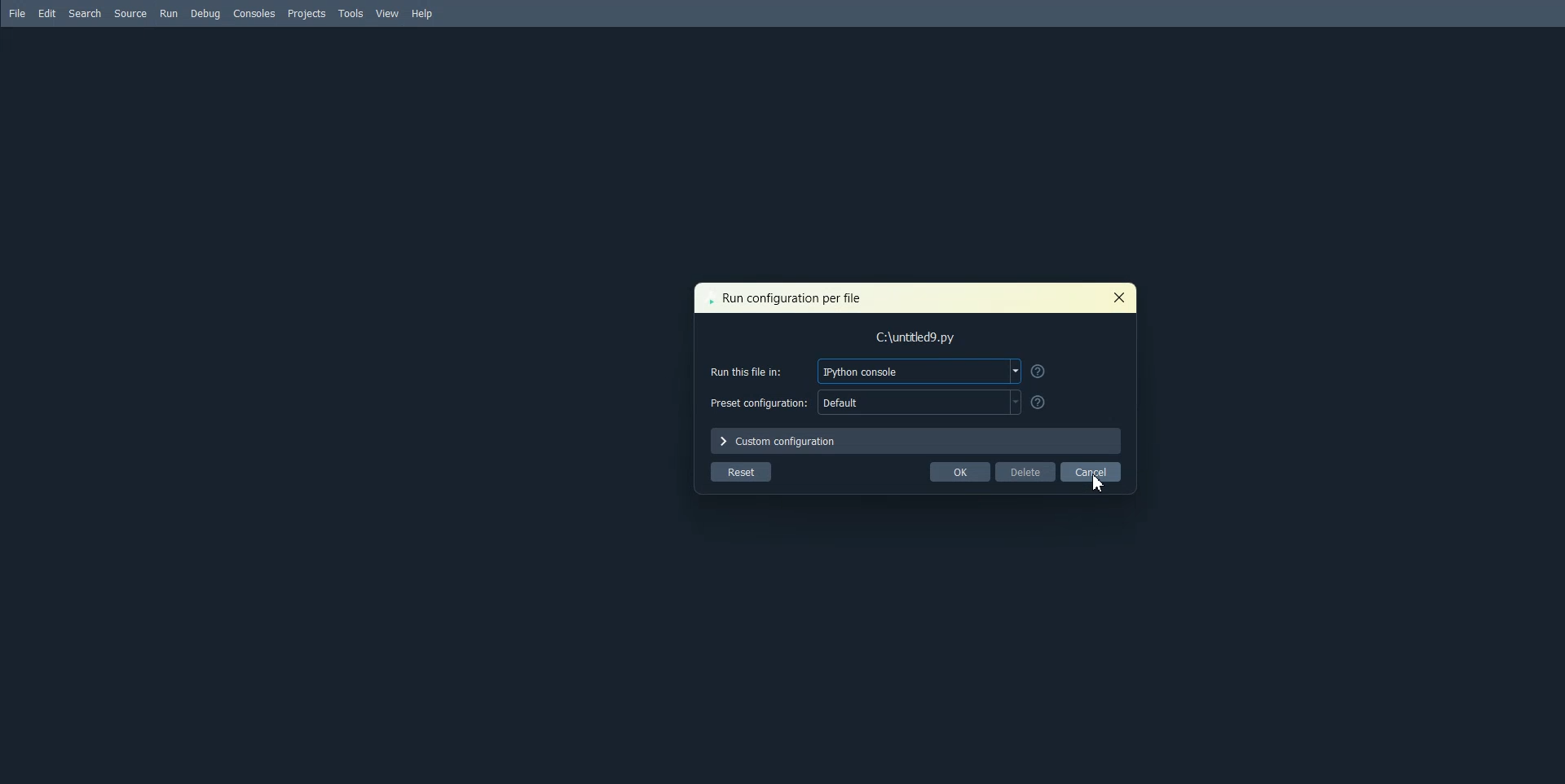  What do you see at coordinates (959, 471) in the screenshot?
I see `OK` at bounding box center [959, 471].